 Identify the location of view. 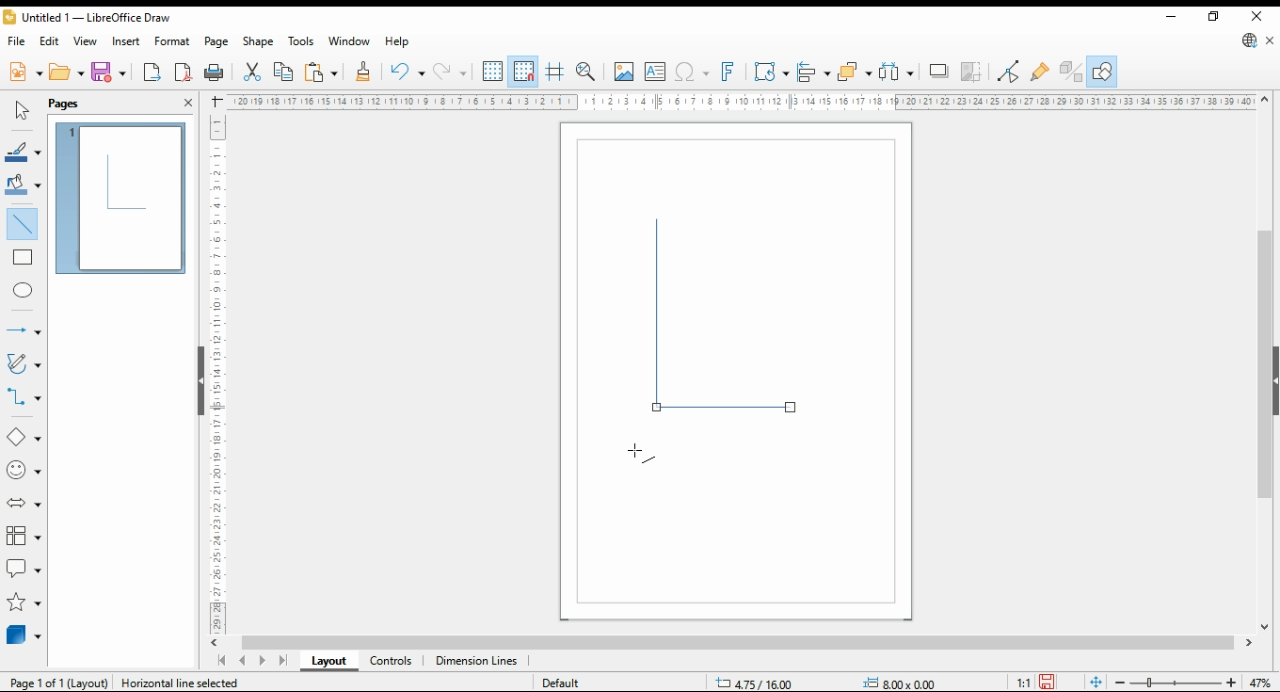
(86, 42).